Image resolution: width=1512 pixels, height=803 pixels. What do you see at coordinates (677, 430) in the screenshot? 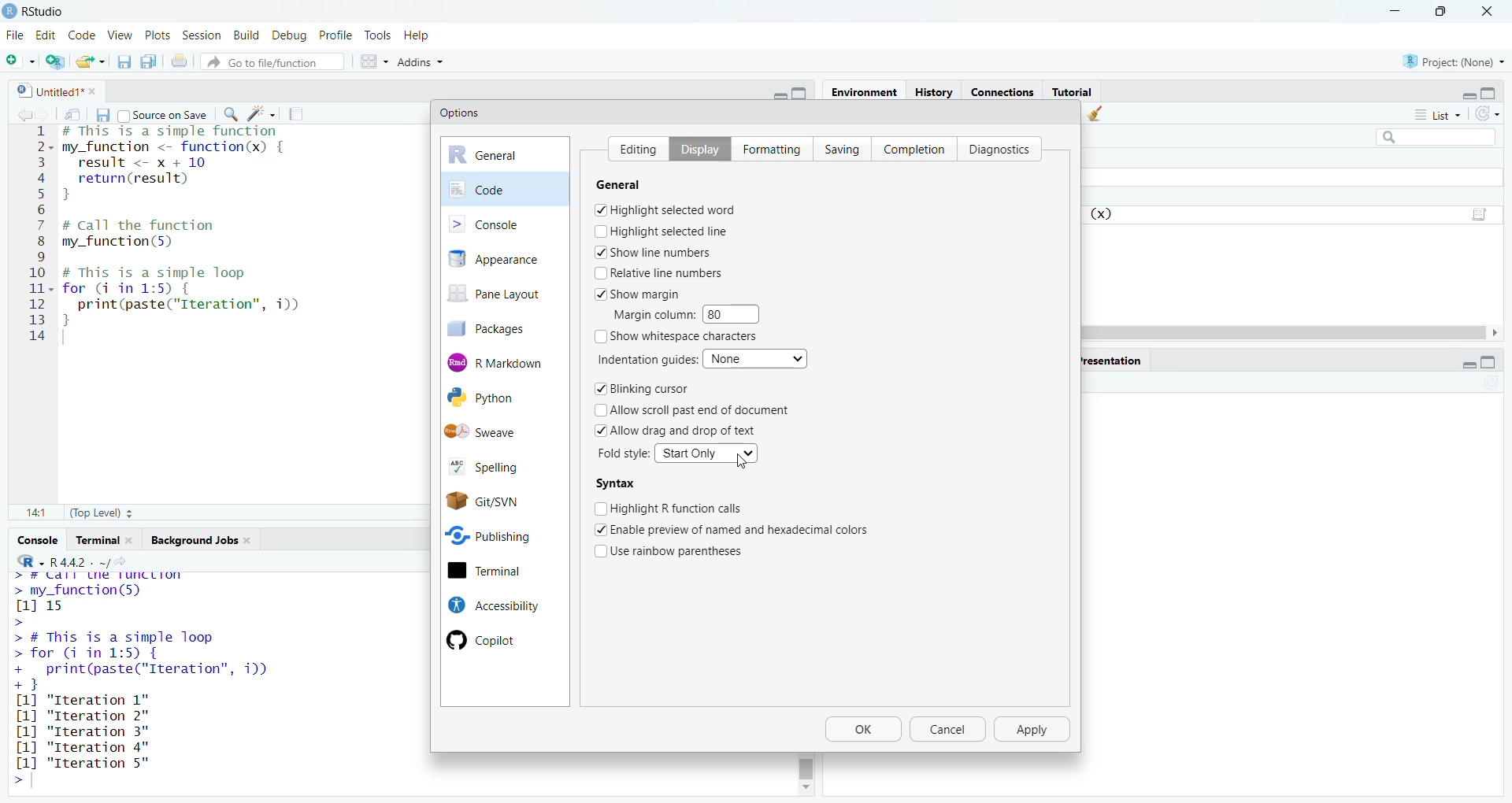
I see `allow drag and drop of text` at bounding box center [677, 430].